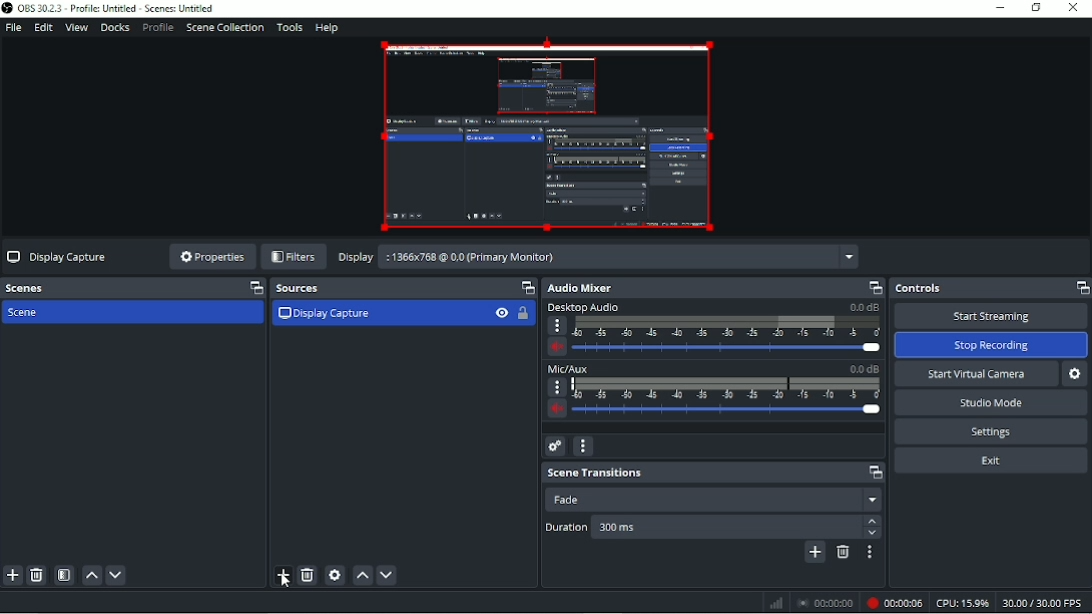  What do you see at coordinates (991, 461) in the screenshot?
I see `Exit` at bounding box center [991, 461].